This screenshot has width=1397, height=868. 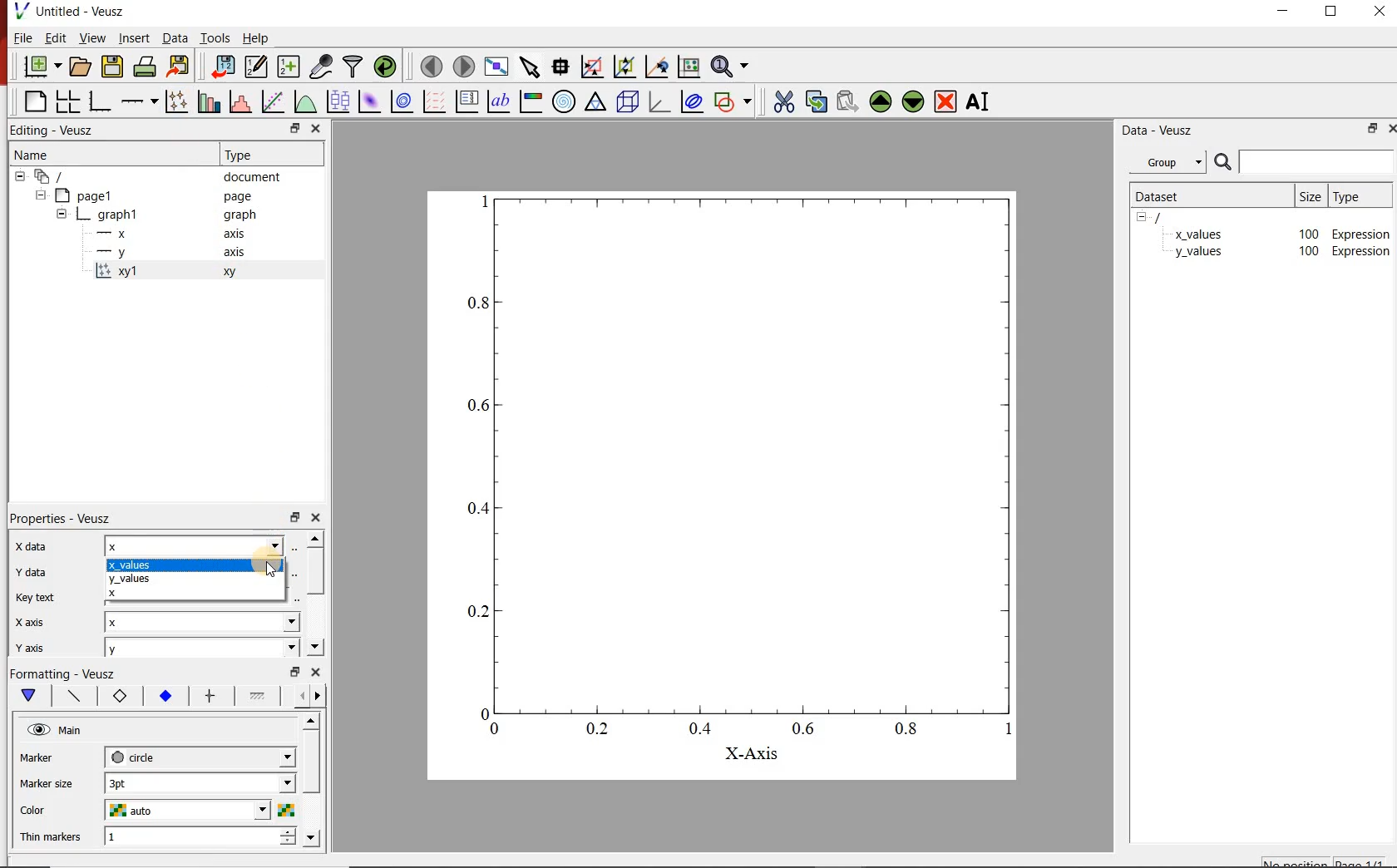 I want to click on move to previous page, so click(x=431, y=67).